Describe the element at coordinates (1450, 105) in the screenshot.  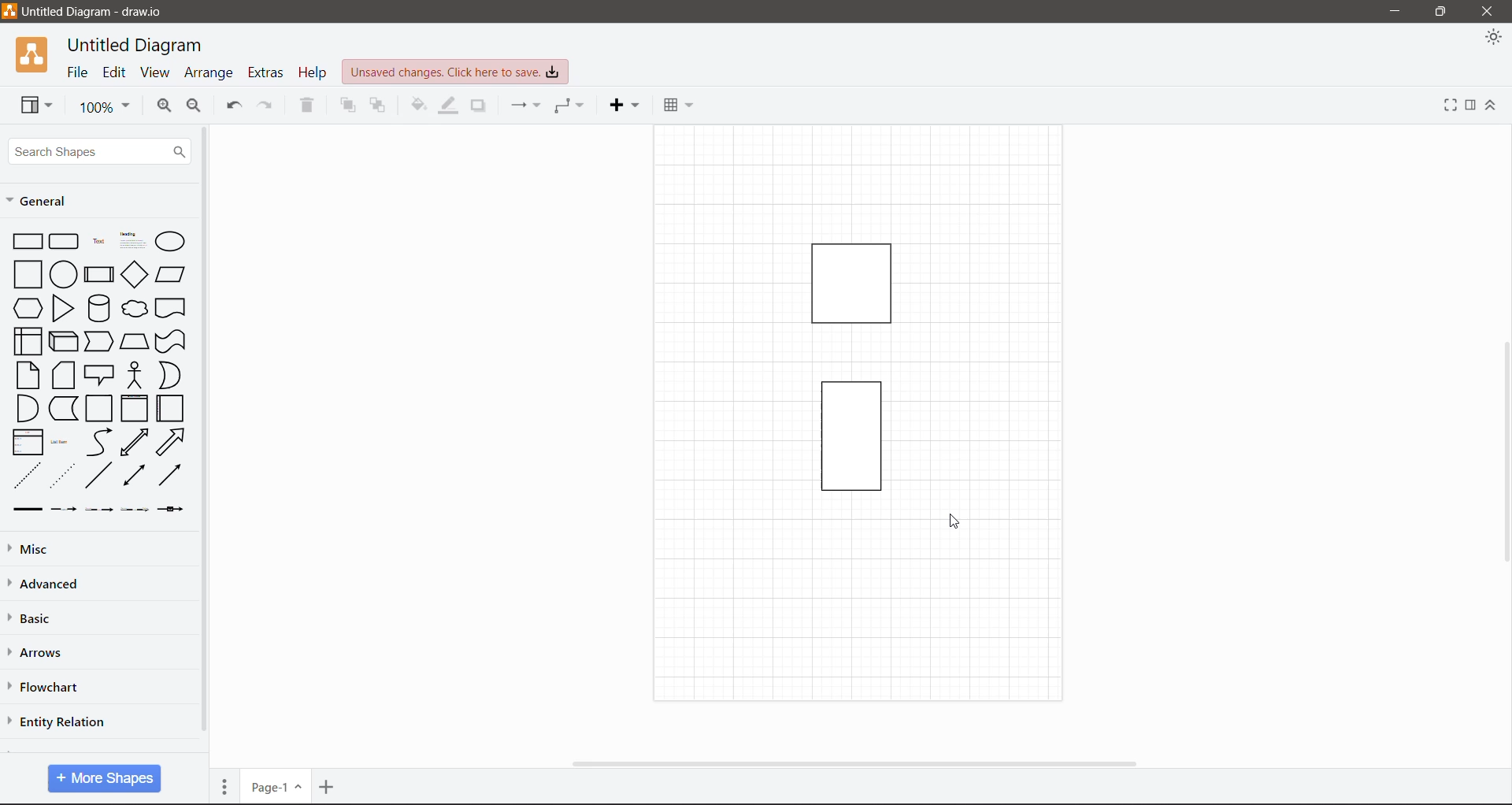
I see `Fullscreen` at that location.